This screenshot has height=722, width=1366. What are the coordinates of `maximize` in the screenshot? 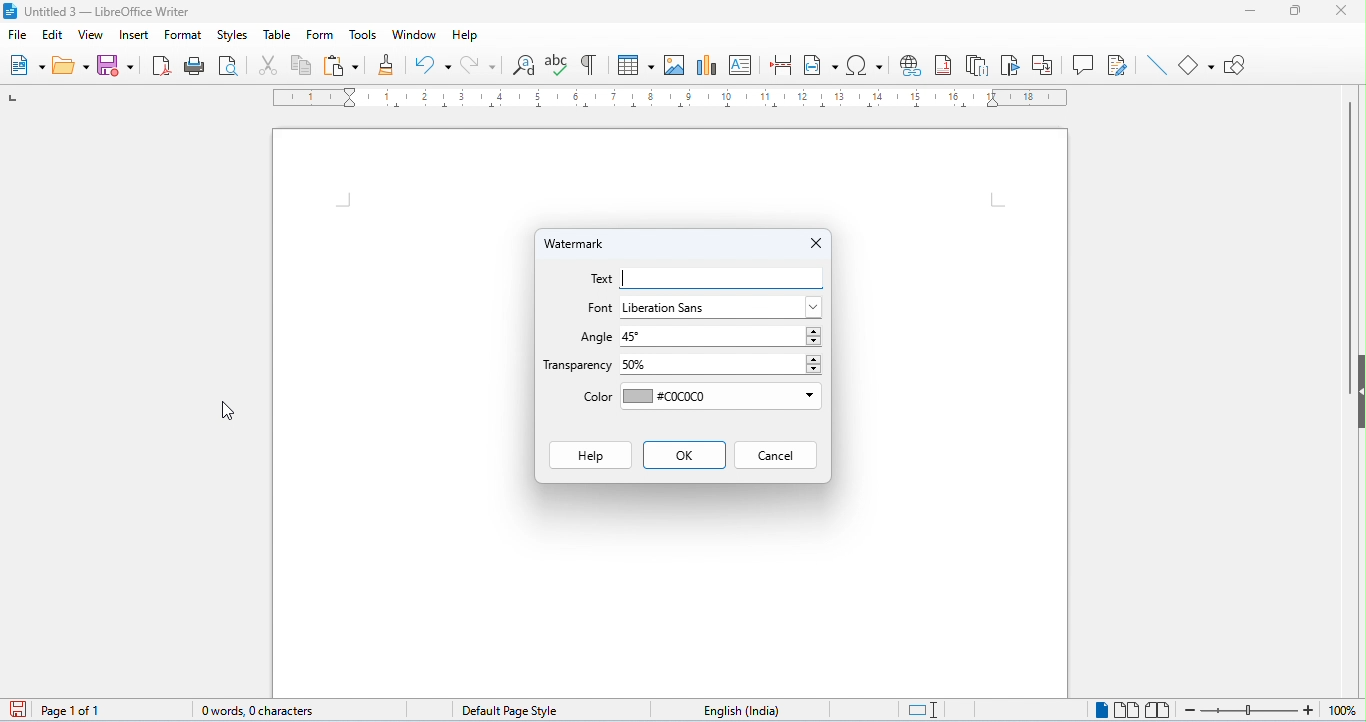 It's located at (1290, 11).